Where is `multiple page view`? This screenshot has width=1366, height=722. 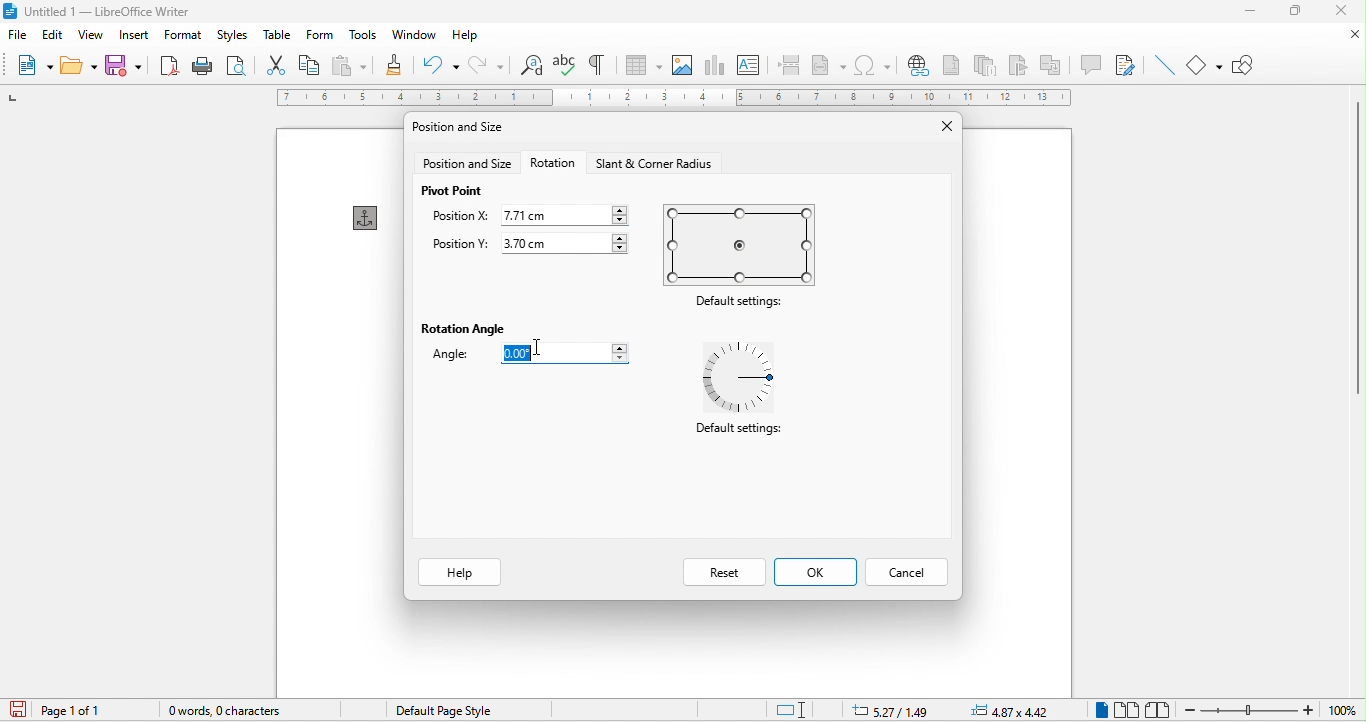 multiple page view is located at coordinates (1130, 710).